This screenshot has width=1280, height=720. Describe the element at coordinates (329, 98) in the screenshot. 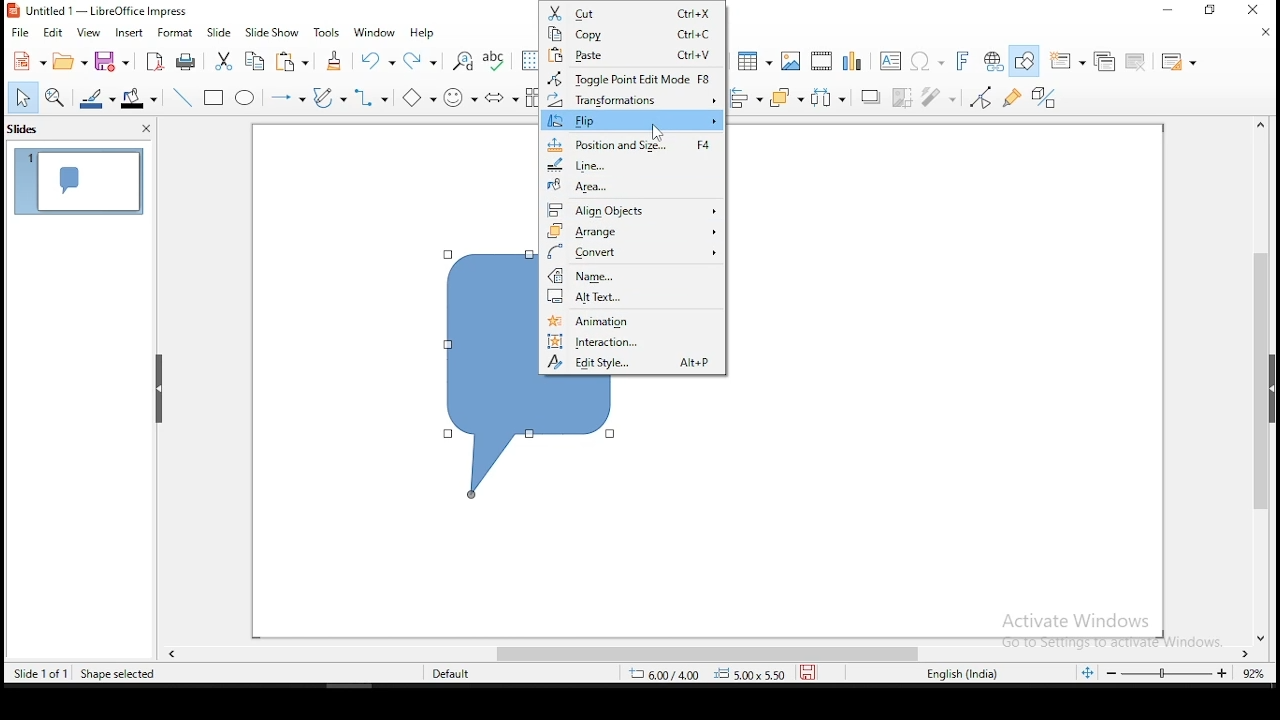

I see `curves and polygons` at that location.